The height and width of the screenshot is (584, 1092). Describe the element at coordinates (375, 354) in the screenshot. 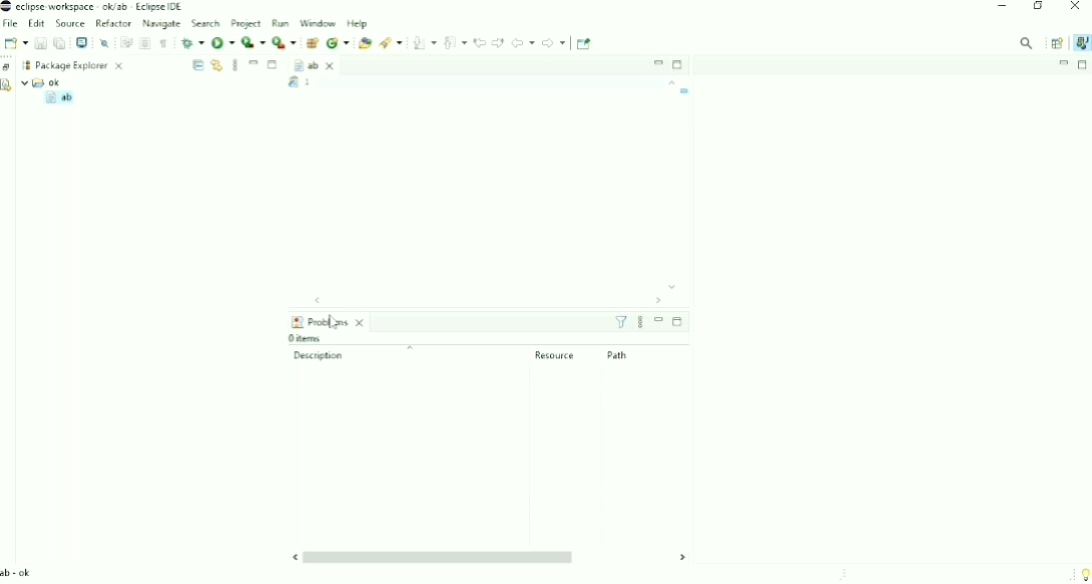

I see `Description` at that location.